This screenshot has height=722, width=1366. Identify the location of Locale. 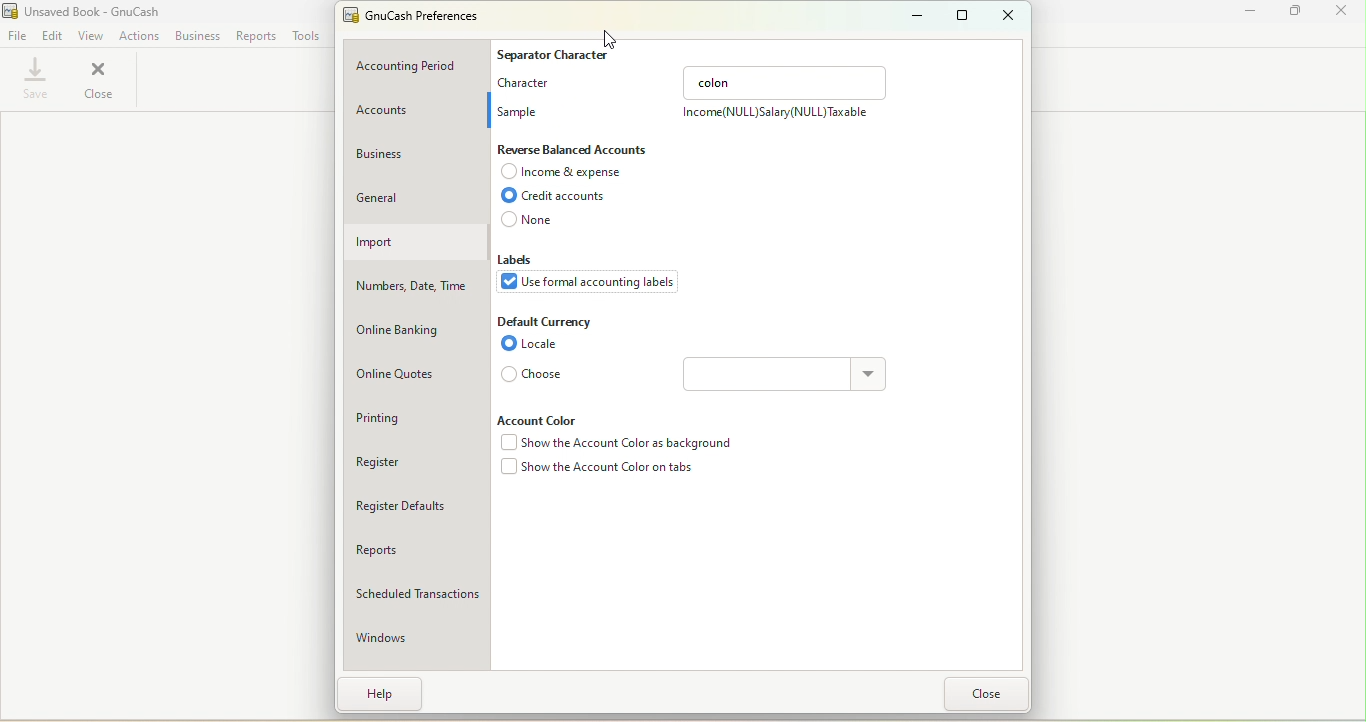
(536, 345).